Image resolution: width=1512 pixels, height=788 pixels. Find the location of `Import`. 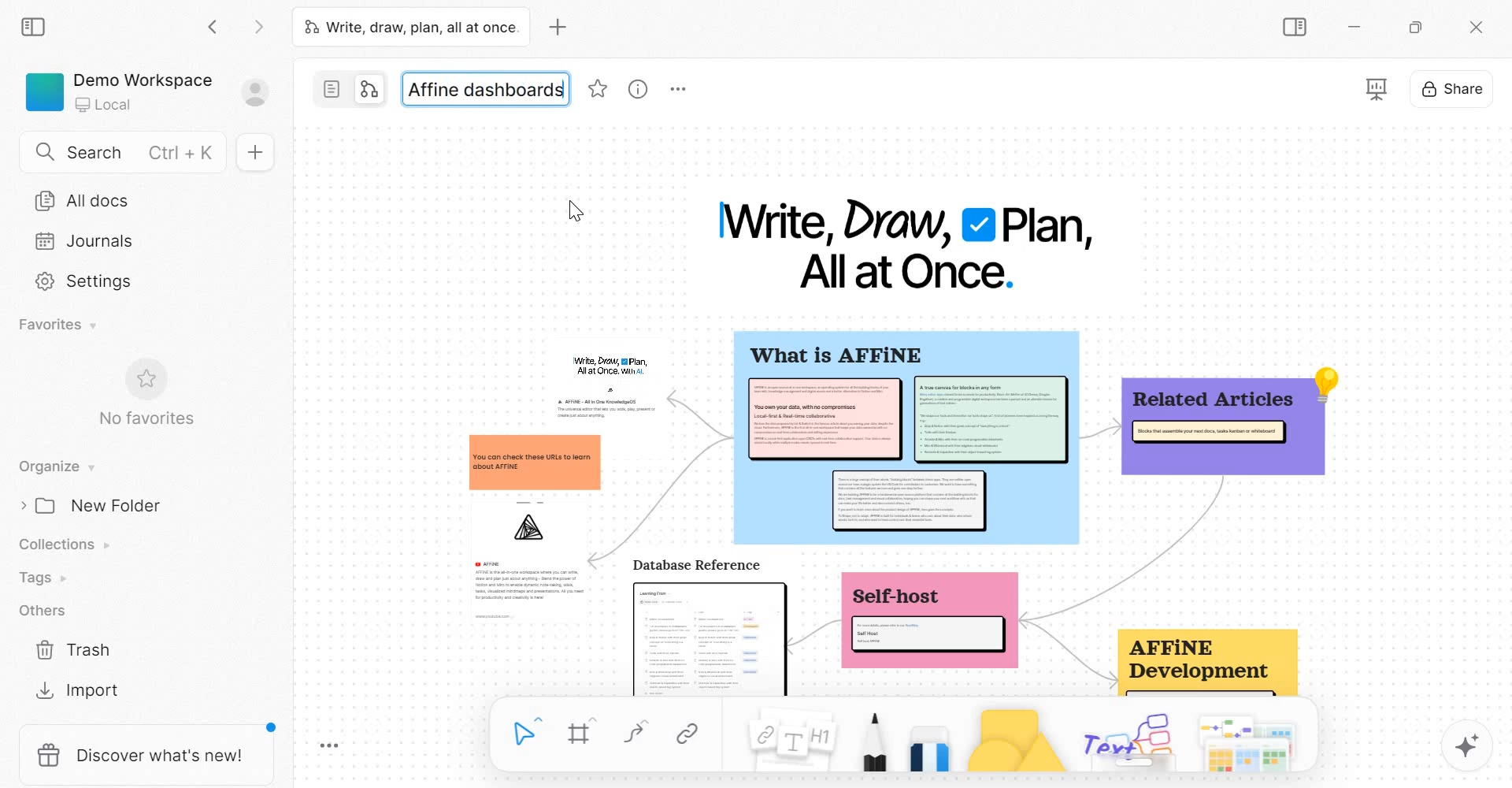

Import is located at coordinates (78, 689).